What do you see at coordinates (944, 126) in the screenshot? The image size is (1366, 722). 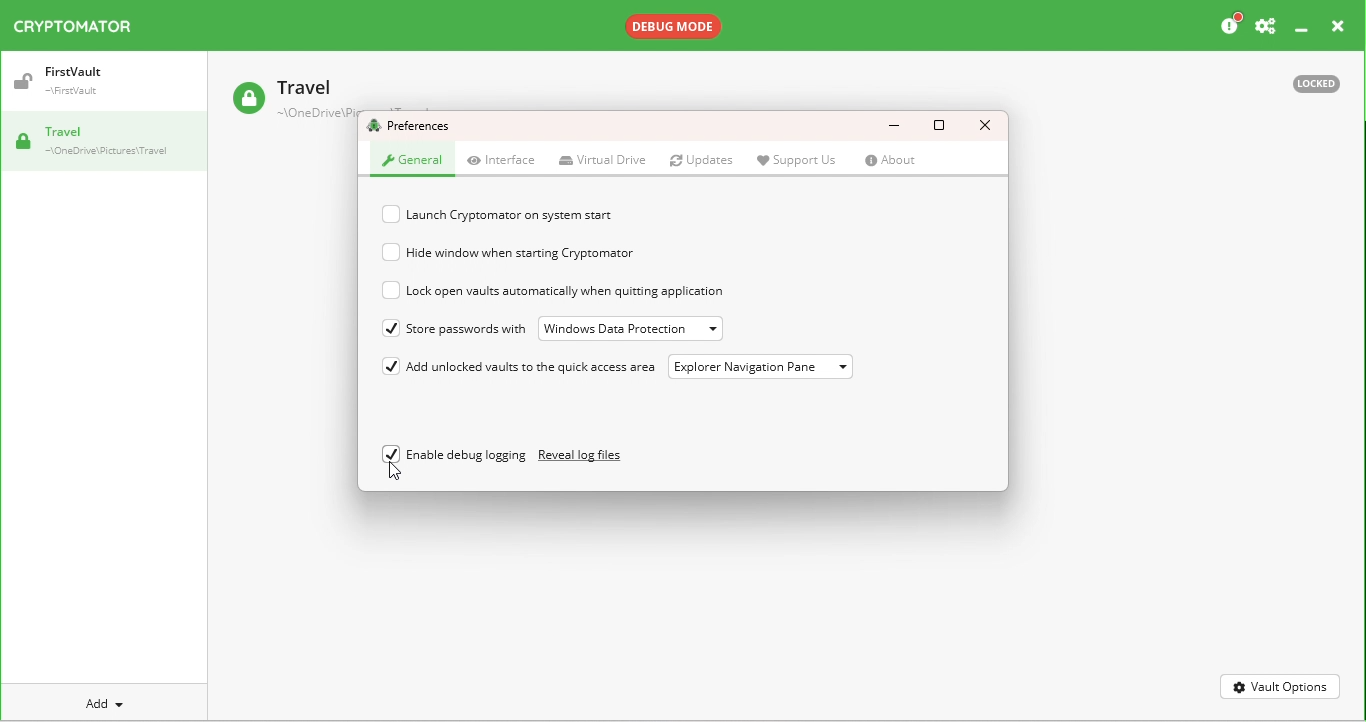 I see `Maximize` at bounding box center [944, 126].